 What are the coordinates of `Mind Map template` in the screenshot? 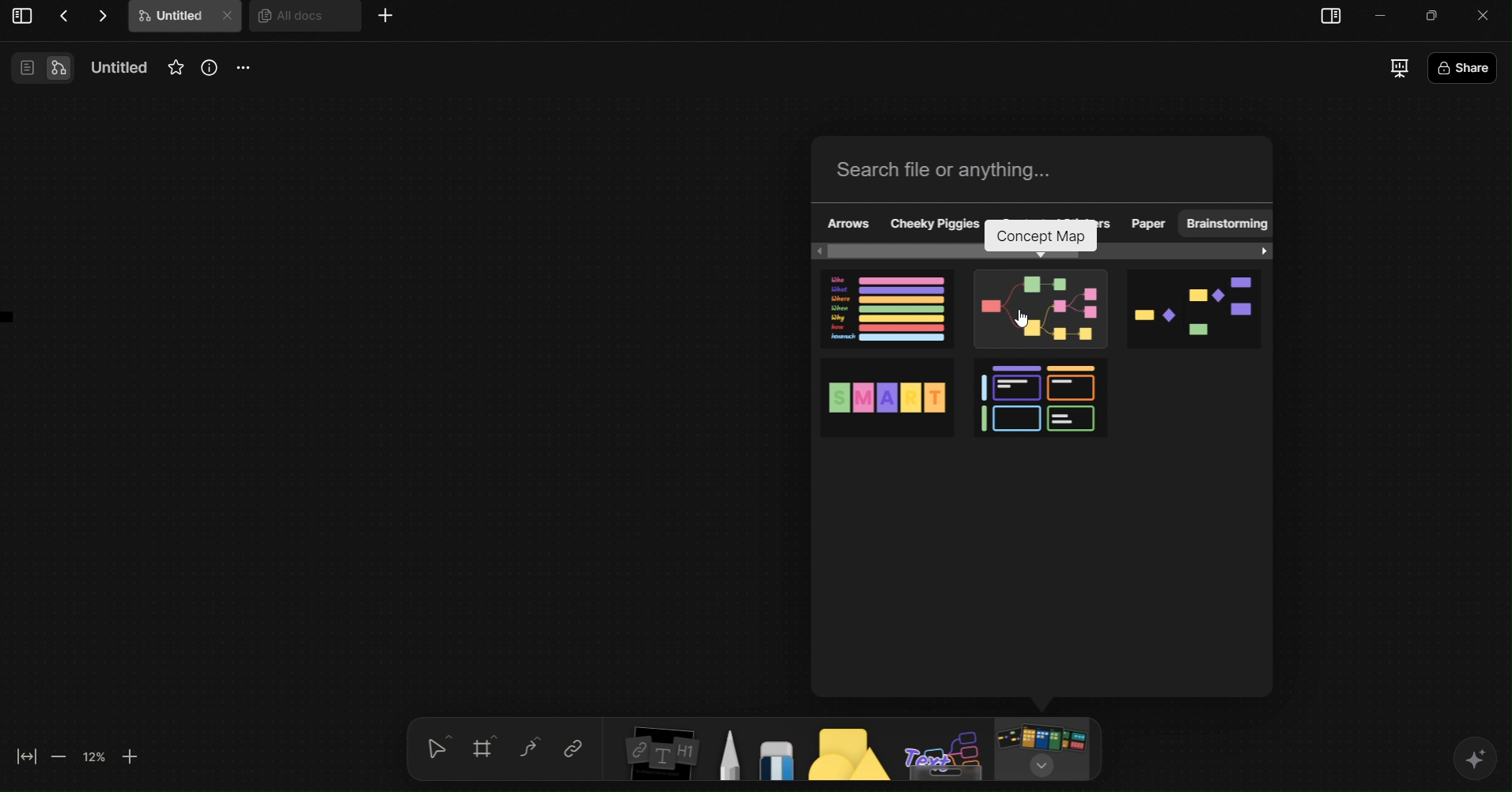 It's located at (1041, 312).